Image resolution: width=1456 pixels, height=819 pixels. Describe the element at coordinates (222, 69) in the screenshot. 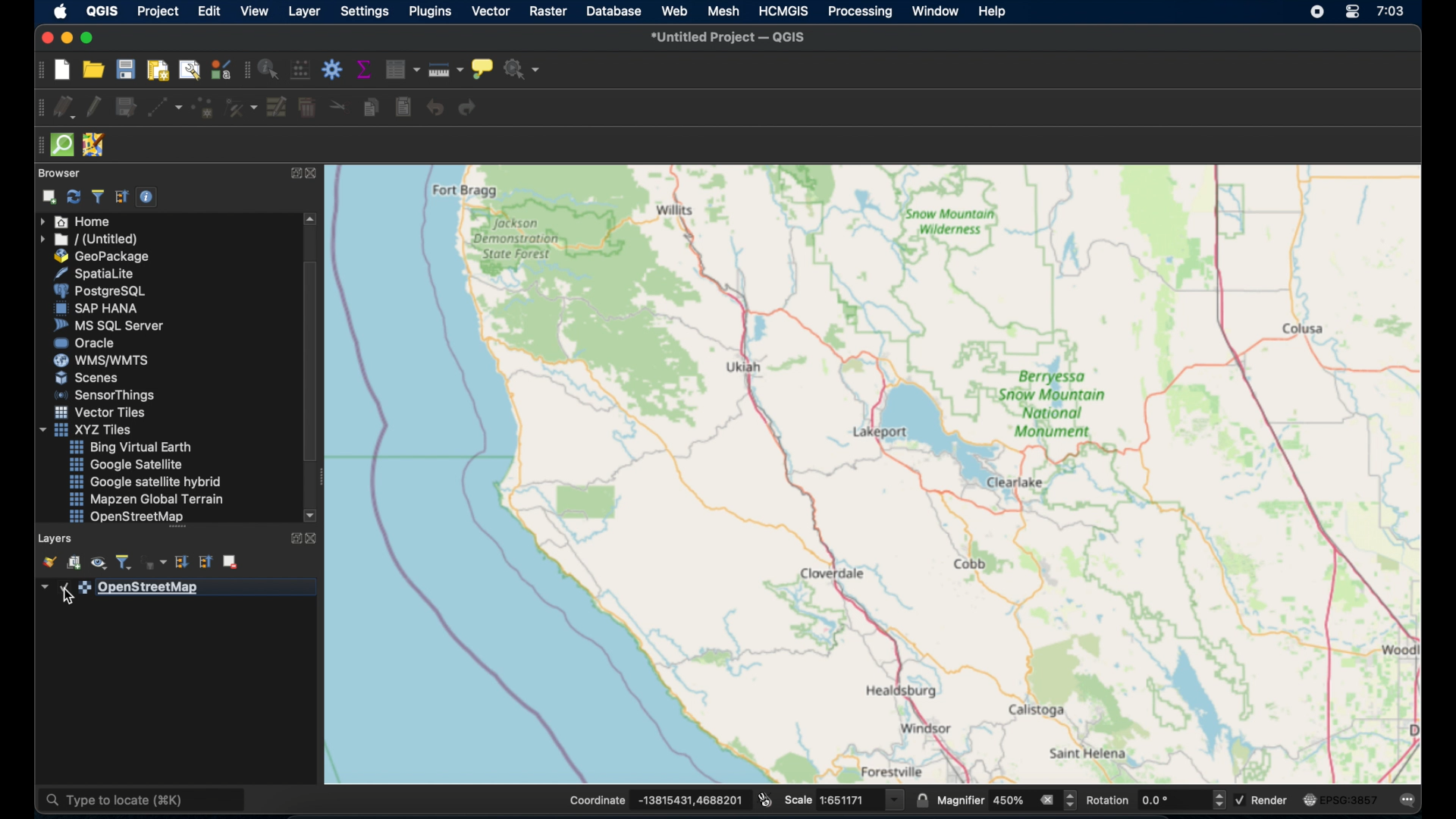

I see `style manager` at that location.